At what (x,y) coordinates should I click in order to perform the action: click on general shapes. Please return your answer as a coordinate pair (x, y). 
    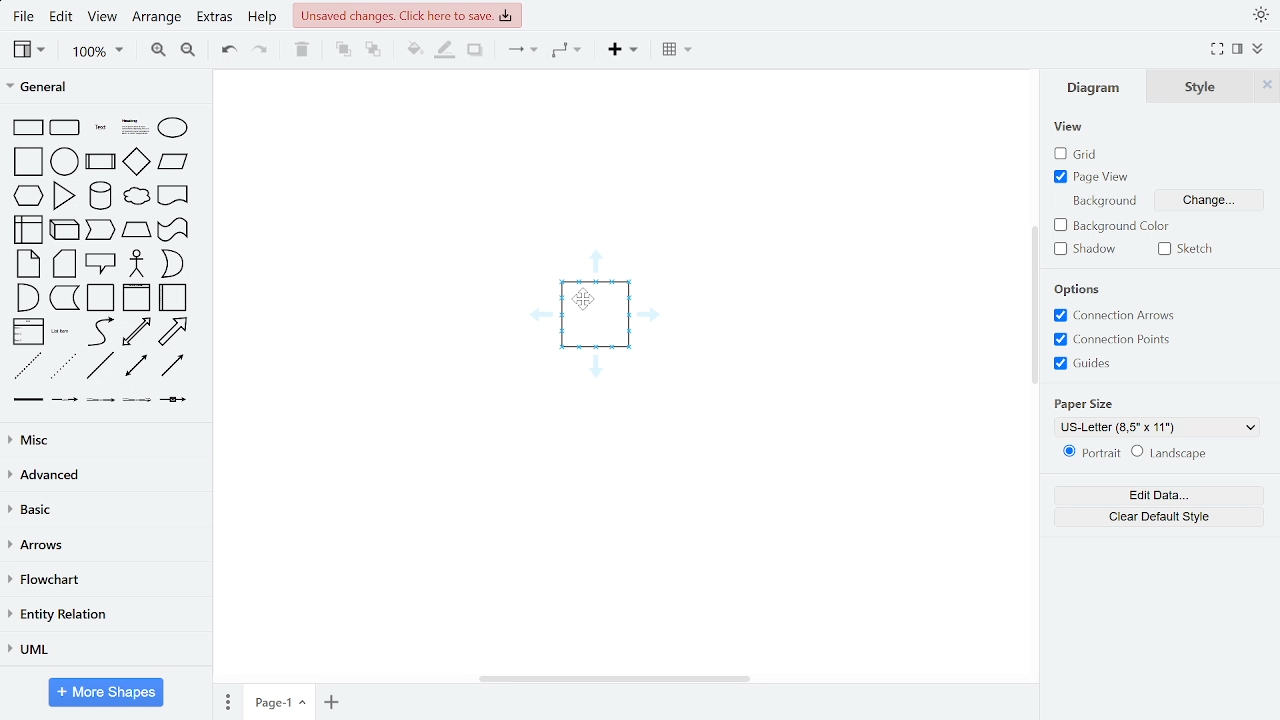
    Looking at the image, I should click on (172, 331).